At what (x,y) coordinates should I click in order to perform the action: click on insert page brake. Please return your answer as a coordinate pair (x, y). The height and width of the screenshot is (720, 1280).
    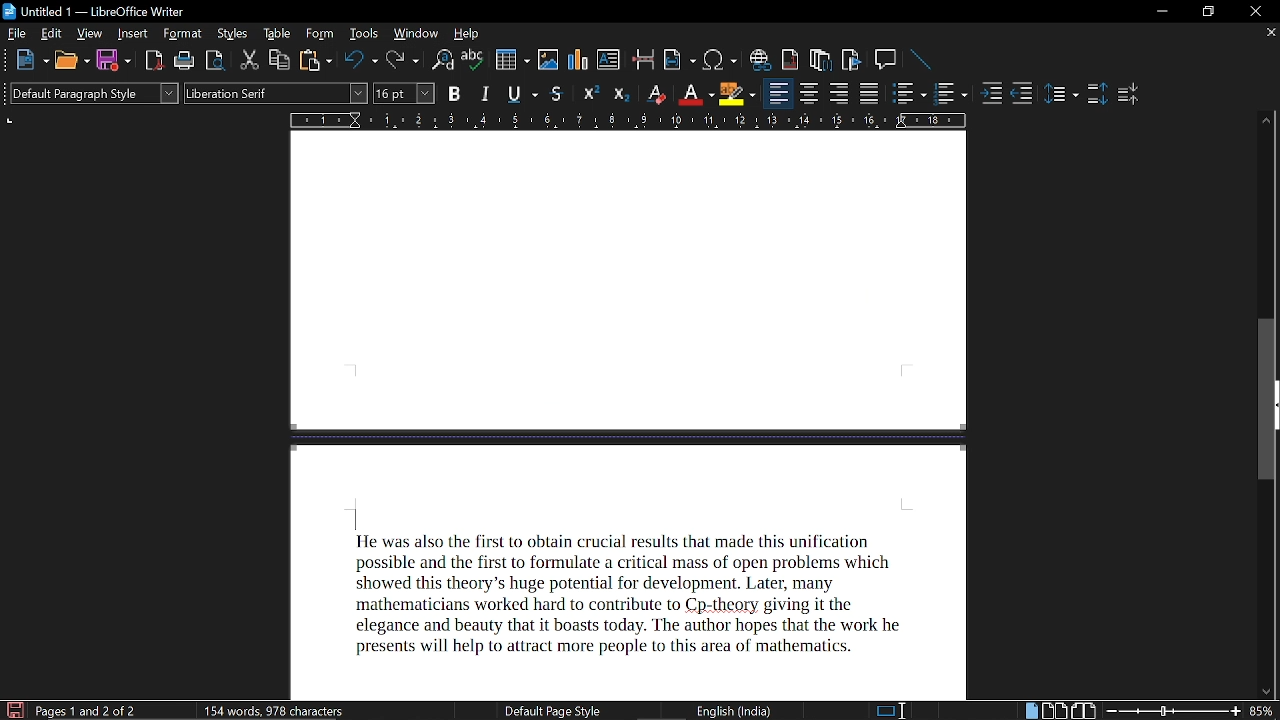
    Looking at the image, I should click on (644, 61).